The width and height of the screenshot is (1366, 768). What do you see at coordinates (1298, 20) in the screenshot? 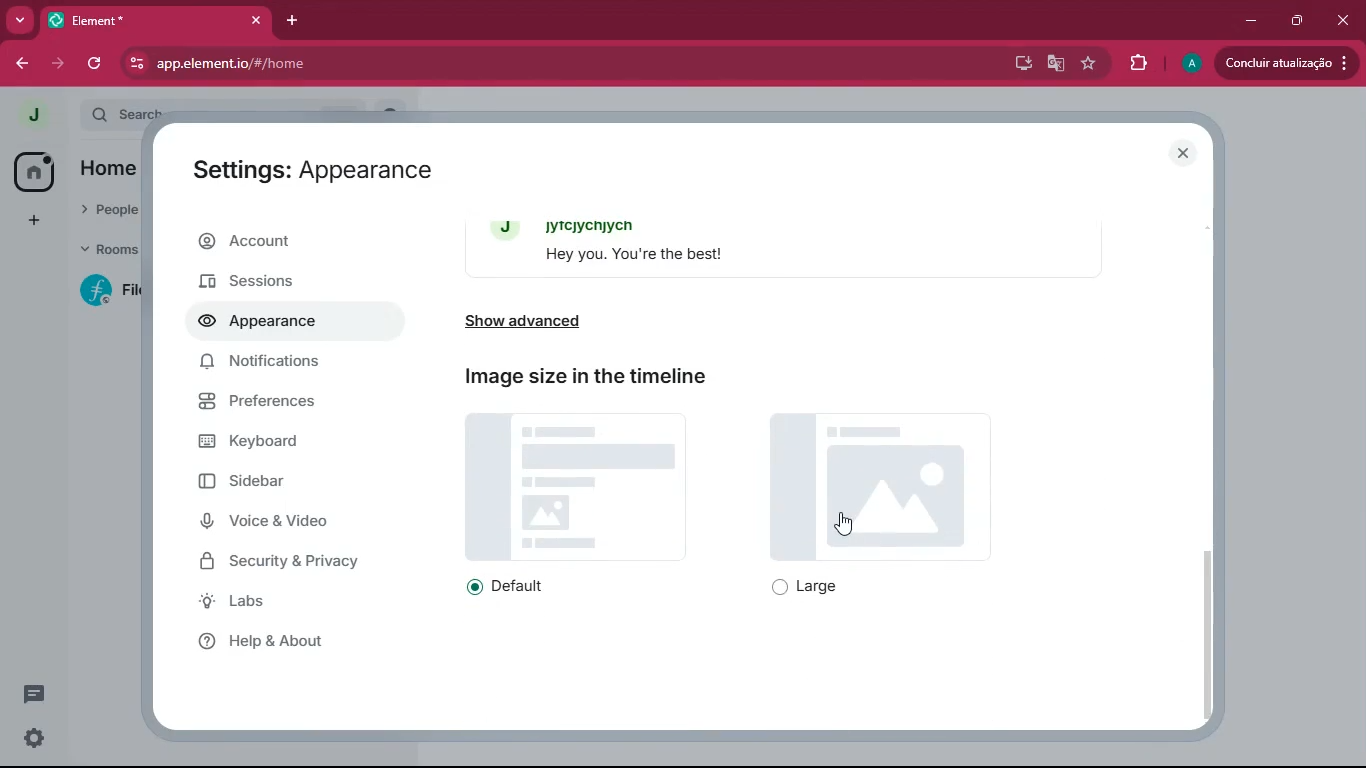
I see `maximize` at bounding box center [1298, 20].